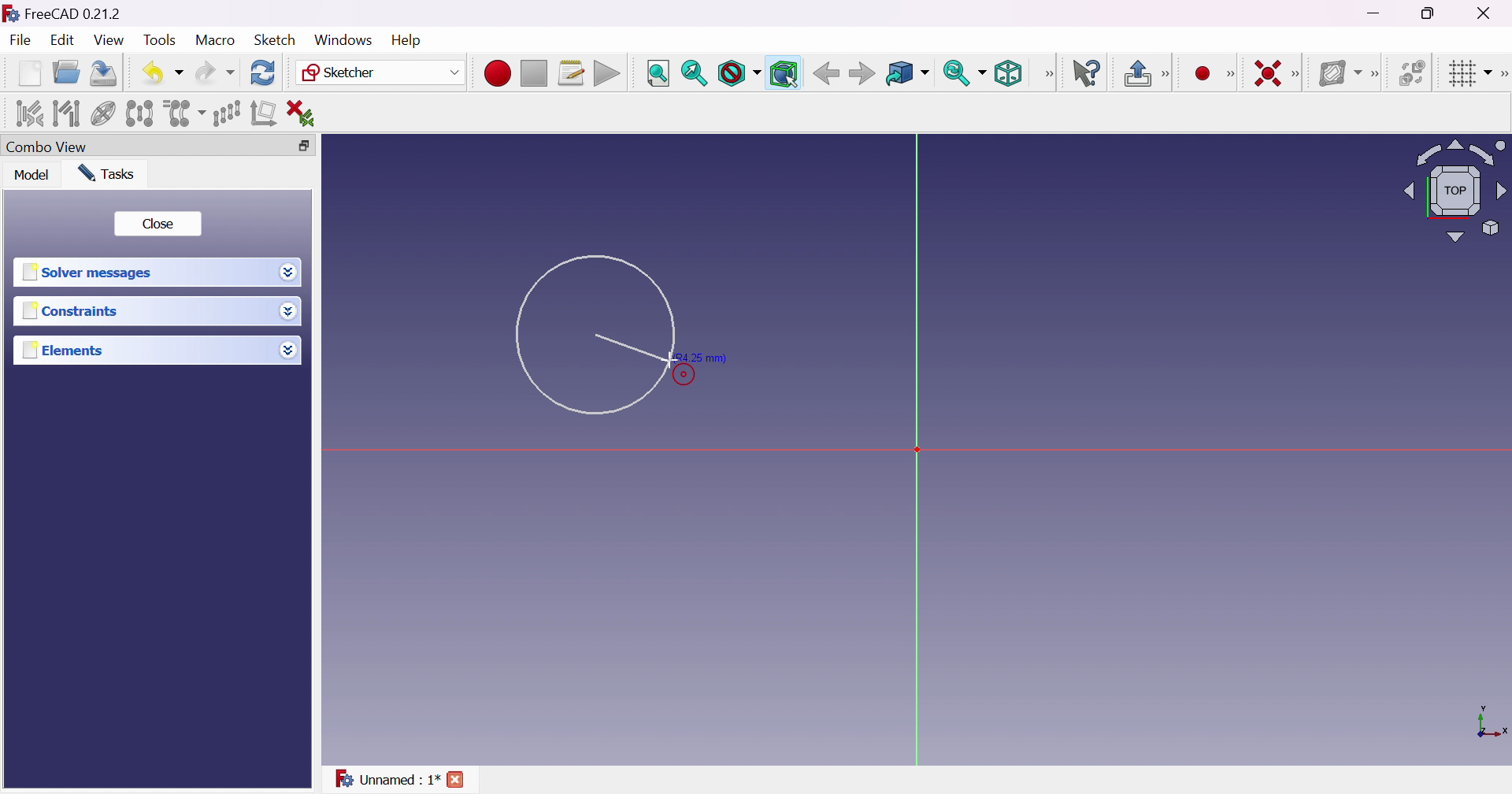 The image size is (1512, 794). What do you see at coordinates (1235, 74) in the screenshot?
I see `[Sketcher geometries]` at bounding box center [1235, 74].